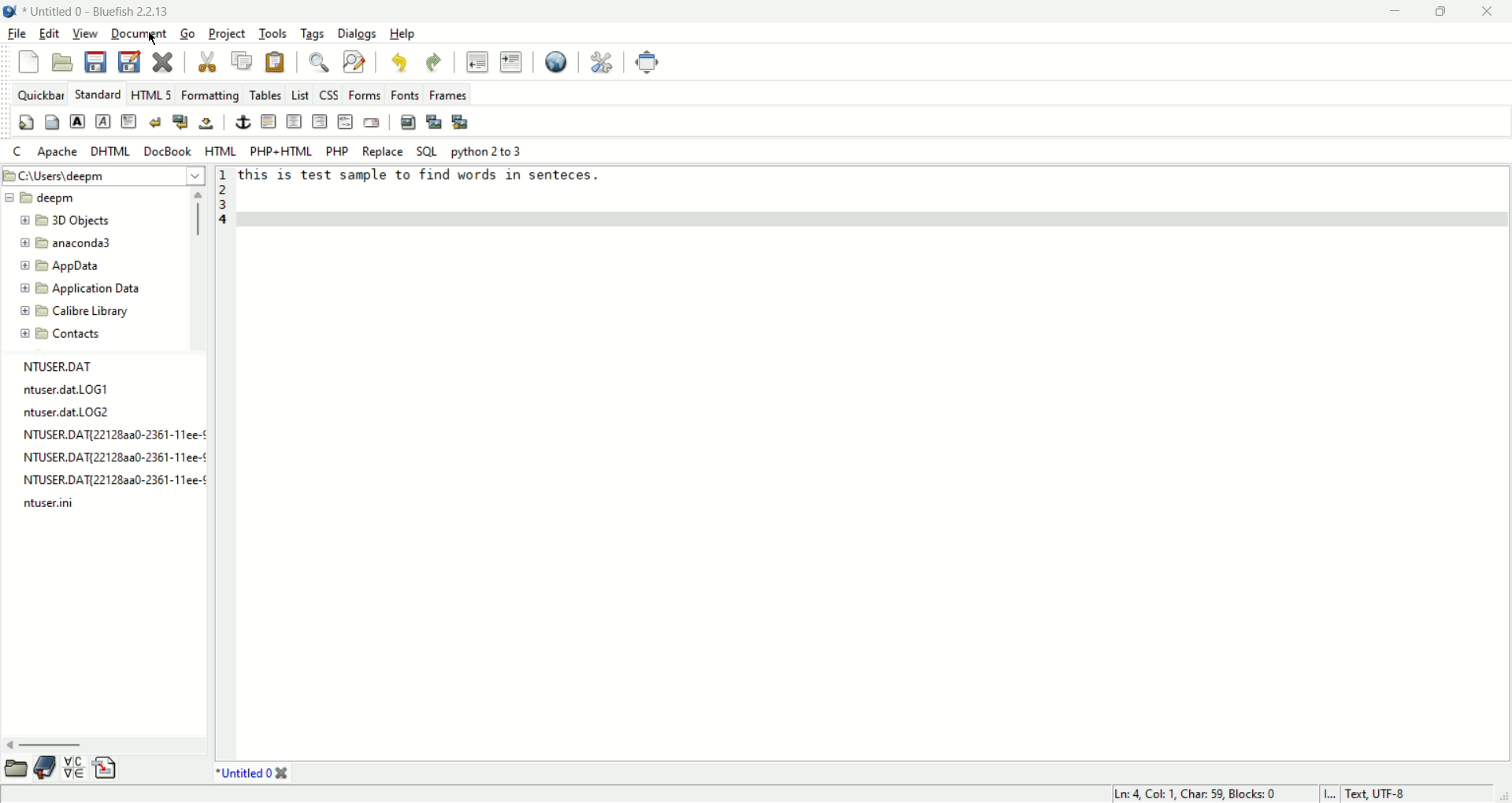  Describe the element at coordinates (1198, 794) in the screenshot. I see `Ln: 4, Col: 1, Char: 59, Blocks: 0` at that location.